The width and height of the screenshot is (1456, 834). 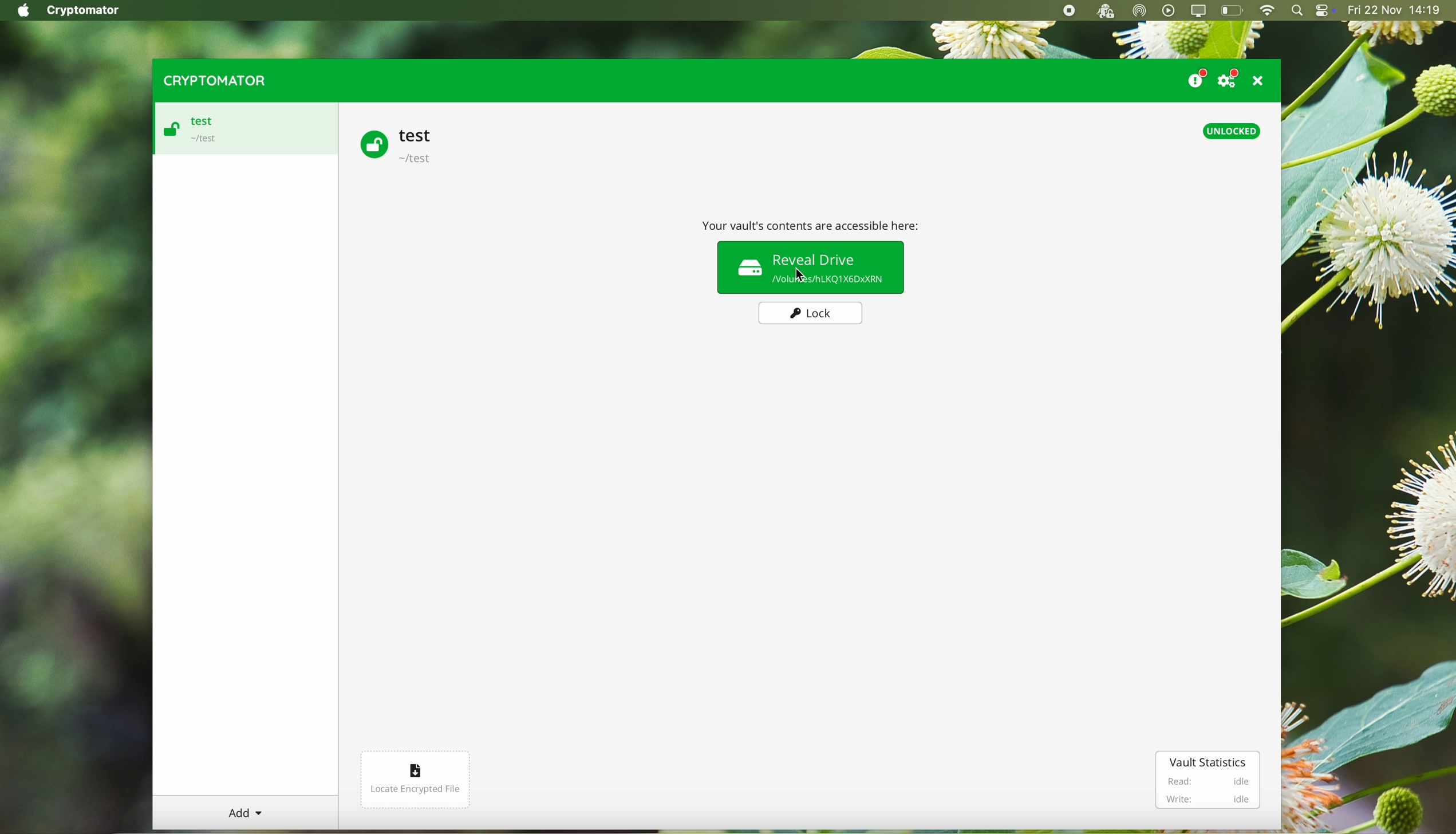 I want to click on airdrop, so click(x=1140, y=11).